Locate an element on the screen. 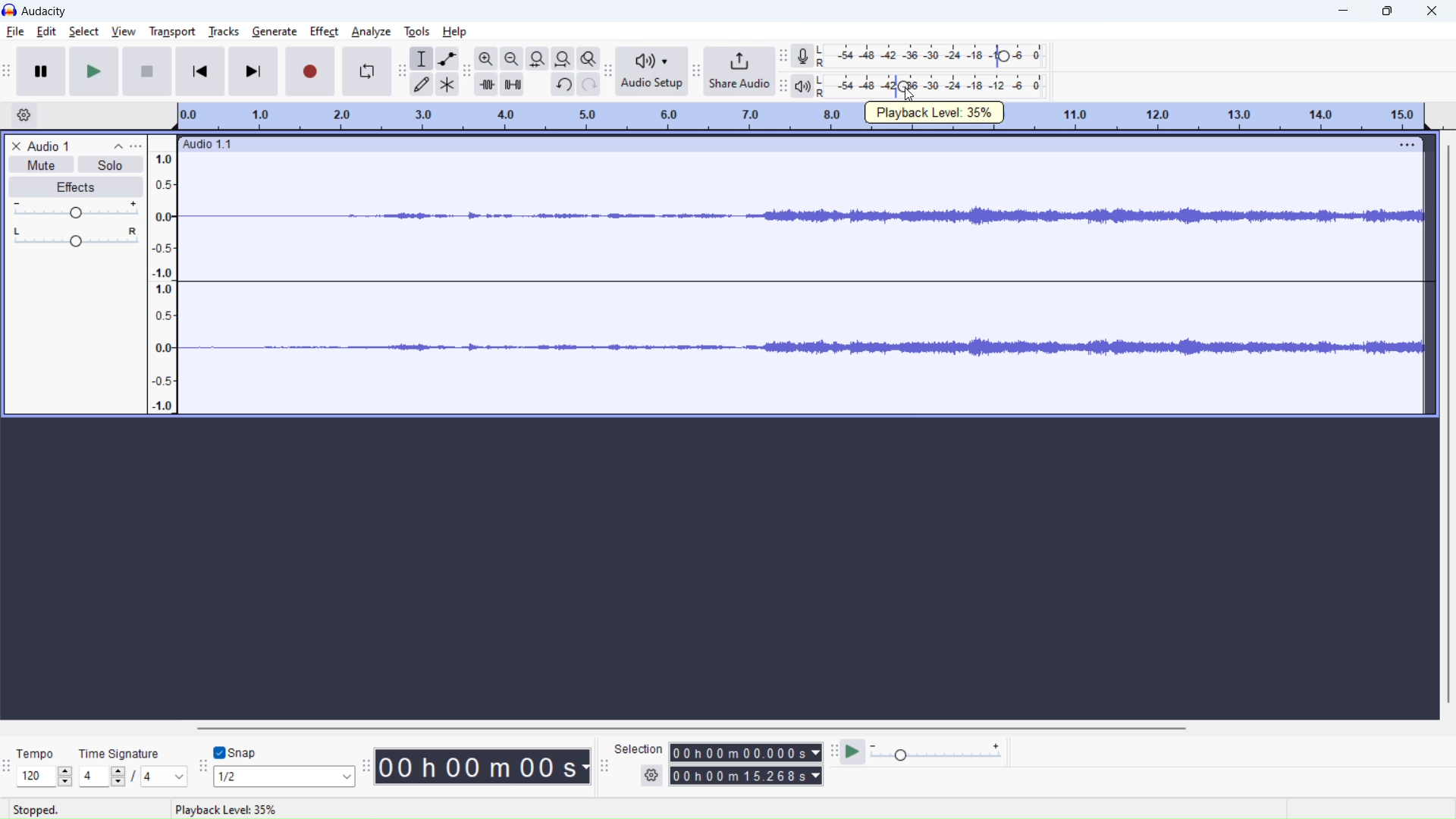 Image resolution: width=1456 pixels, height=819 pixels. draw tool is located at coordinates (421, 83).